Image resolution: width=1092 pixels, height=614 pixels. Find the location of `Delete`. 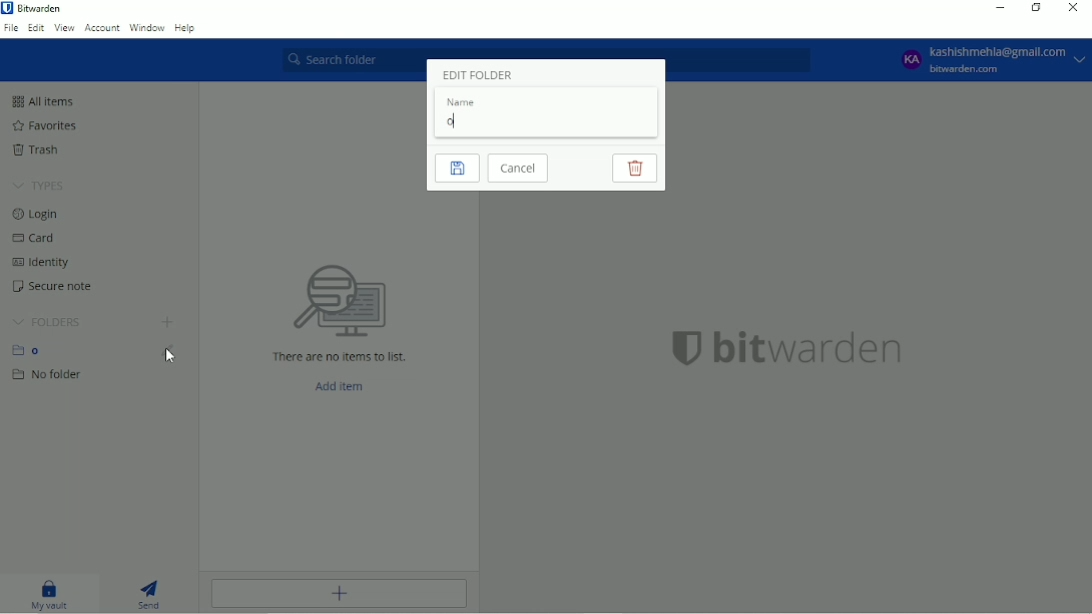

Delete is located at coordinates (634, 168).